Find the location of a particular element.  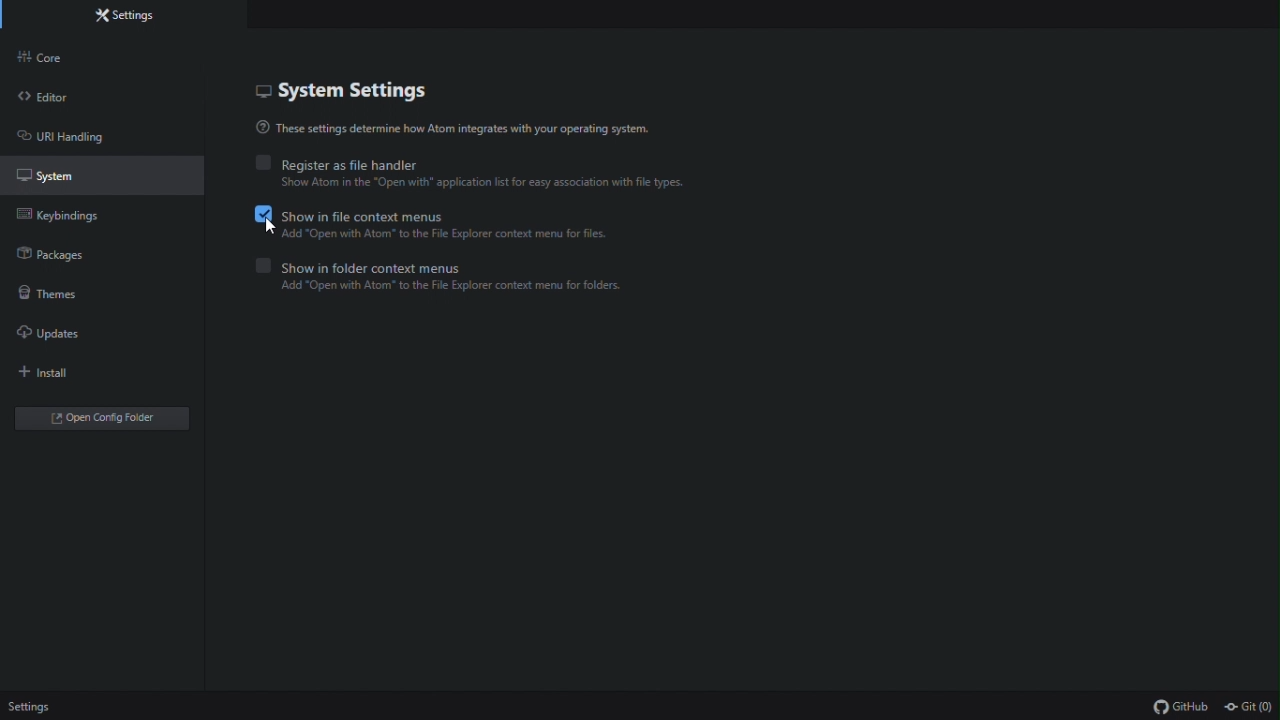

github is located at coordinates (1179, 707).